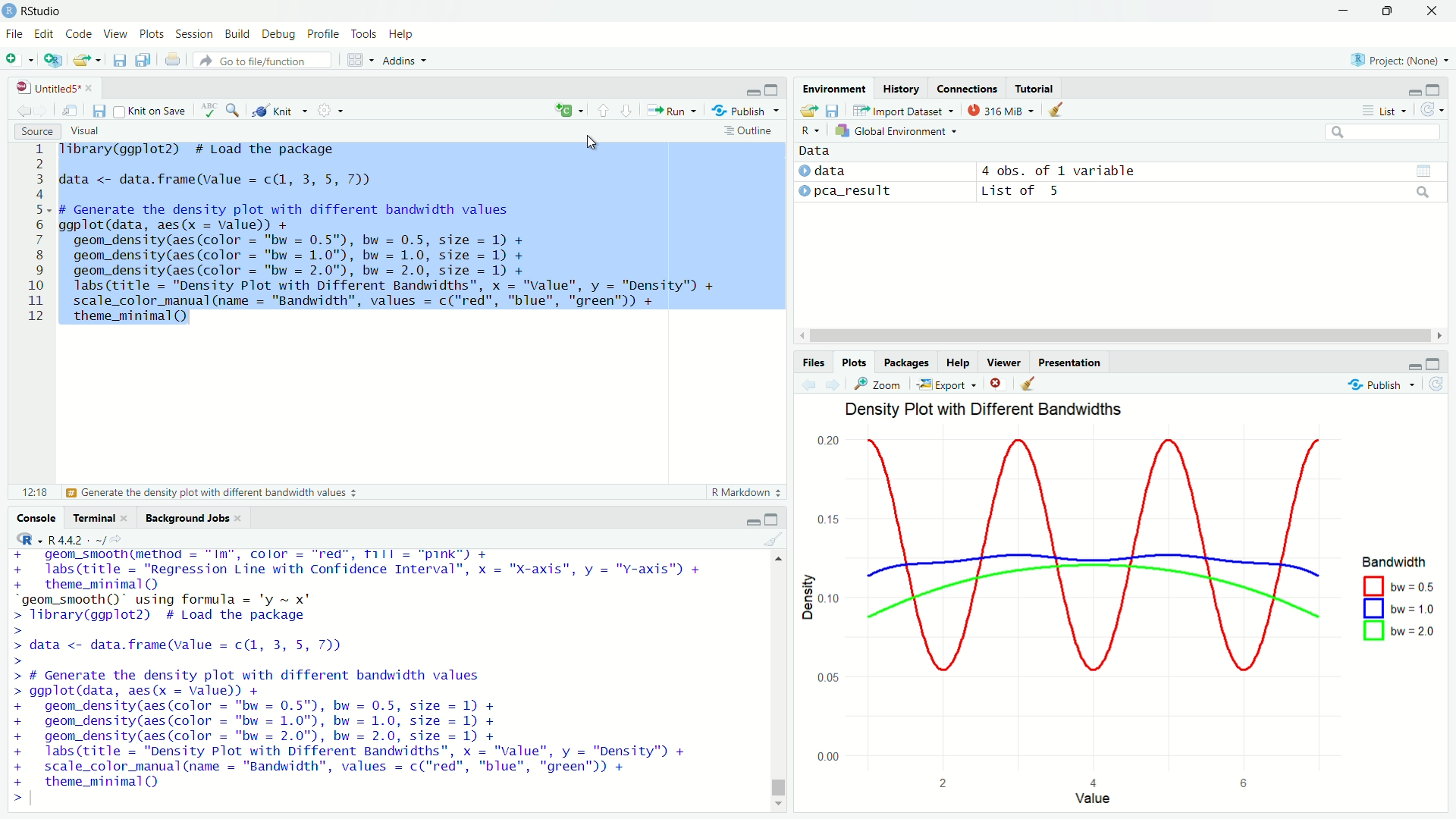 The width and height of the screenshot is (1456, 819). What do you see at coordinates (1383, 132) in the screenshot?
I see `Search` at bounding box center [1383, 132].